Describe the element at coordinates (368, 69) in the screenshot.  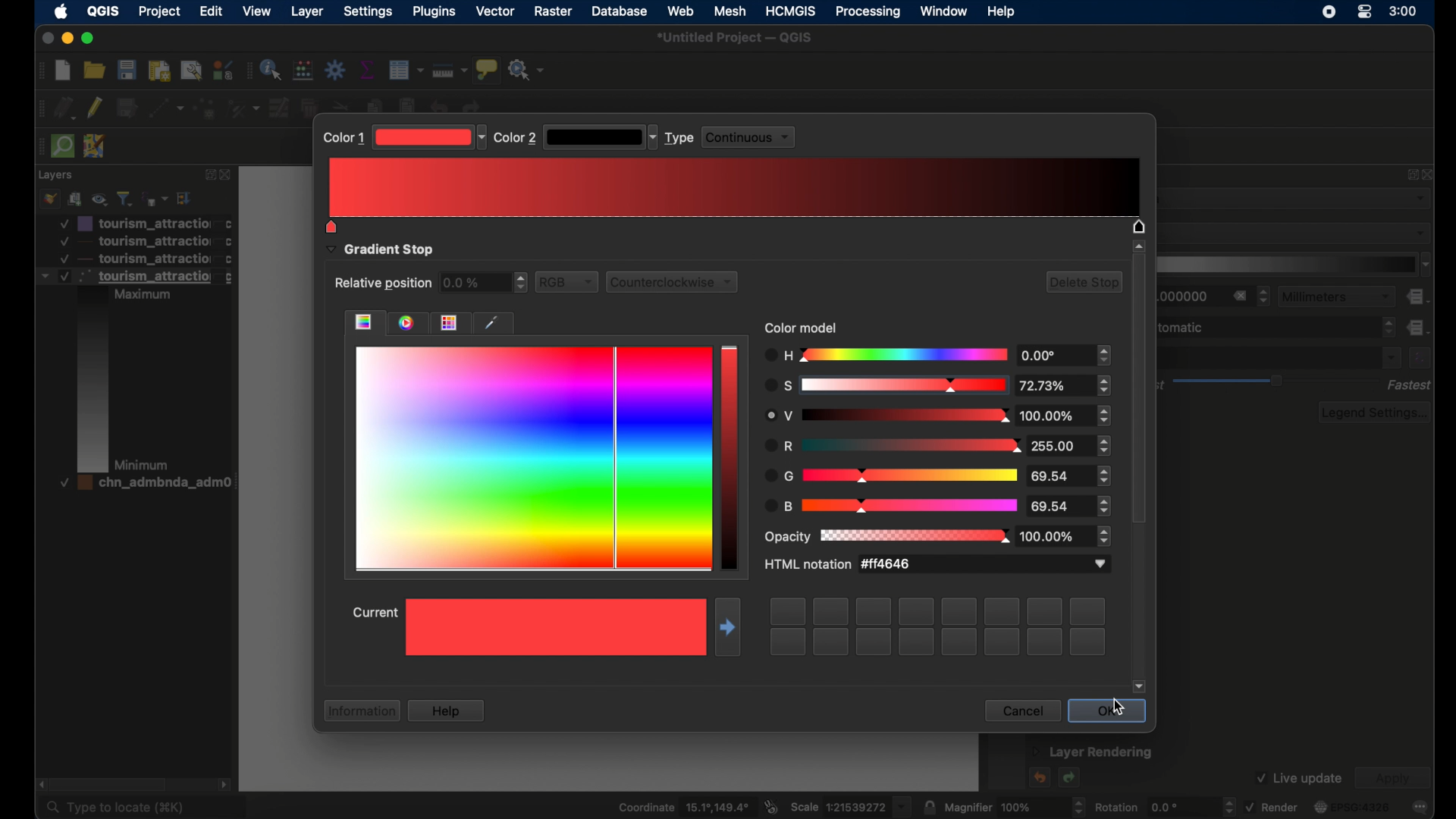
I see `show statistical summary` at that location.